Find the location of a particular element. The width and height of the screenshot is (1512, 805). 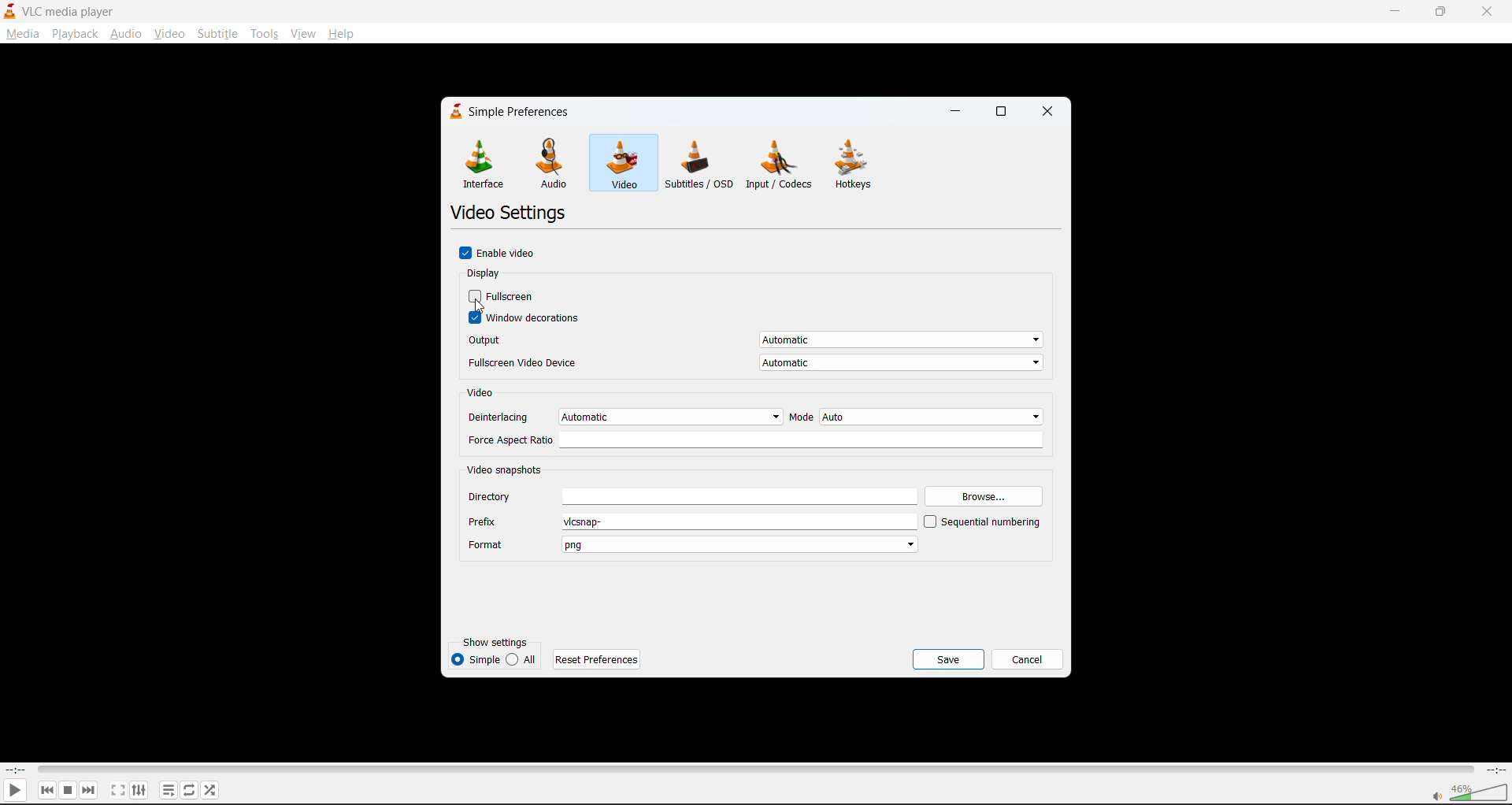

video is located at coordinates (482, 394).